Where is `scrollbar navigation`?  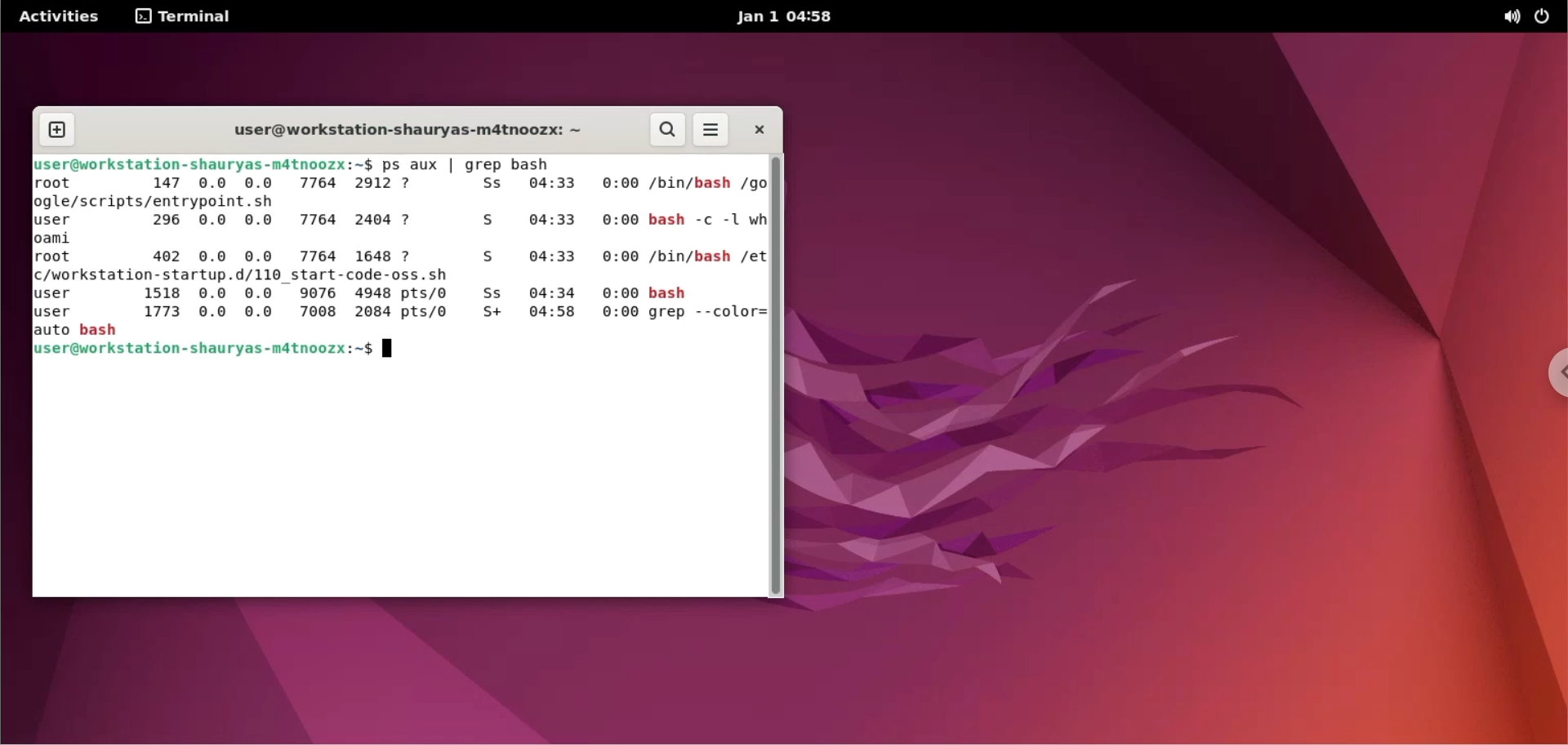
scrollbar navigation is located at coordinates (777, 375).